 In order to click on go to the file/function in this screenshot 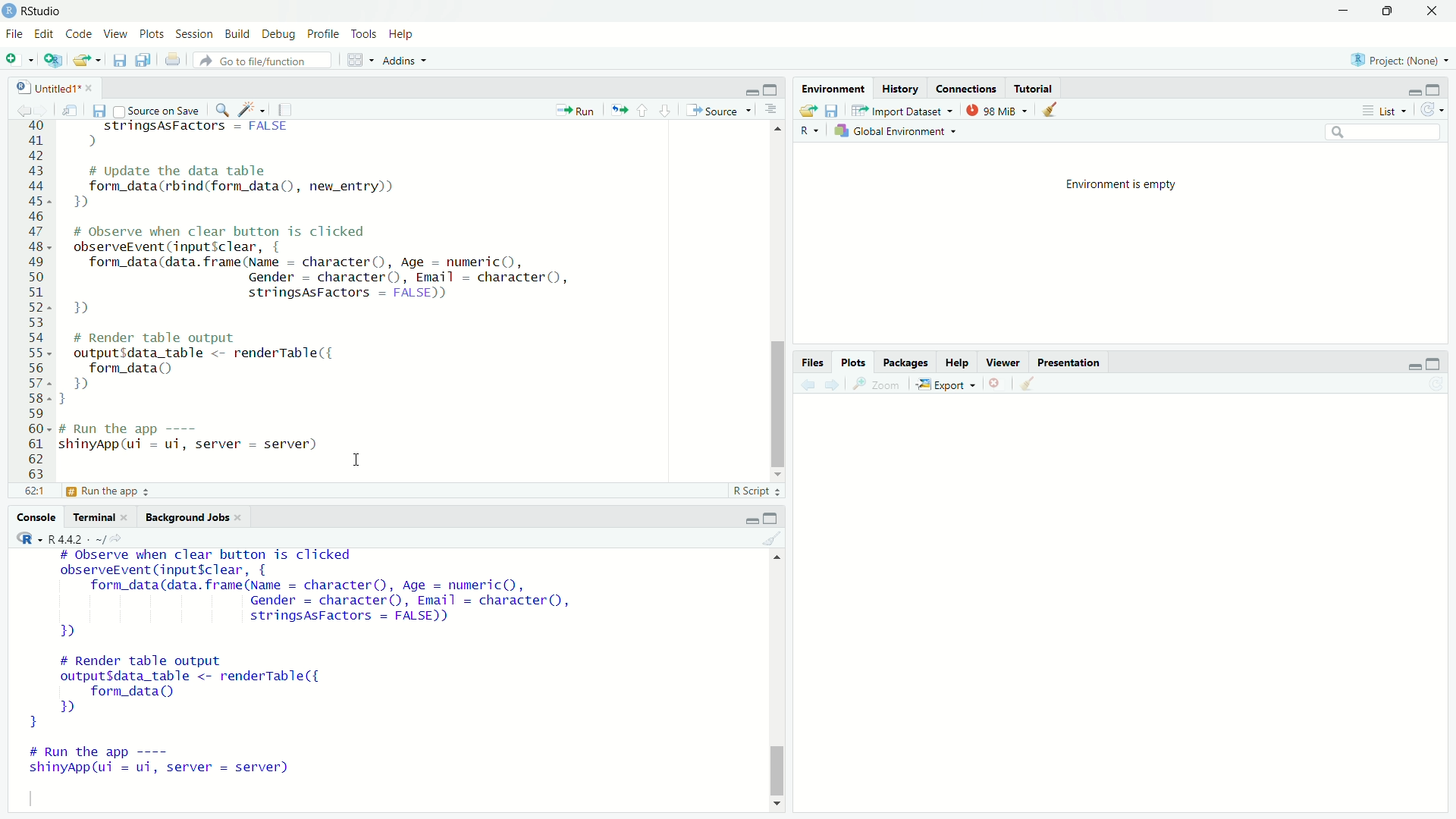, I will do `click(262, 60)`.